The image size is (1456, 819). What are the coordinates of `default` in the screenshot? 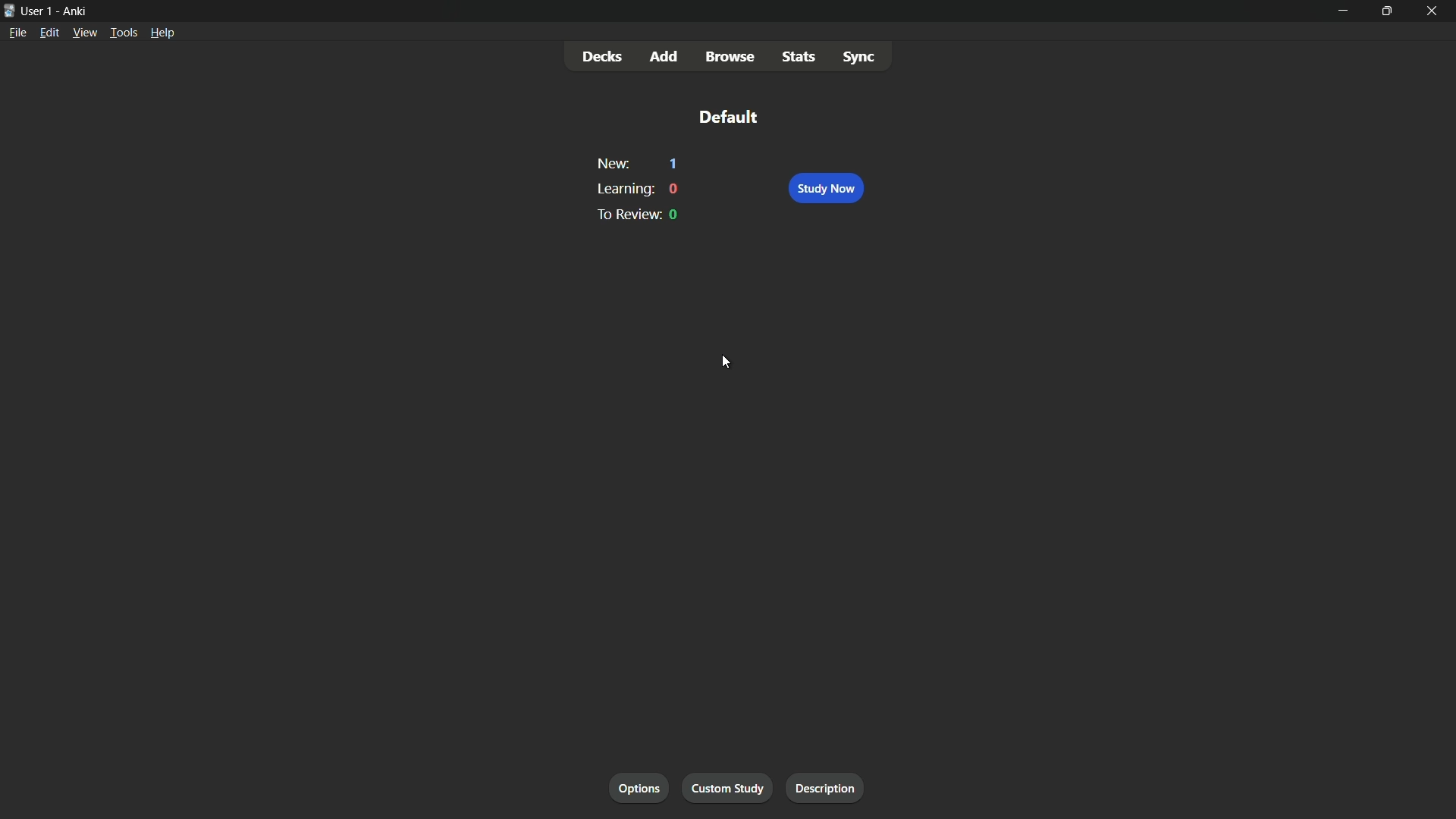 It's located at (726, 117).